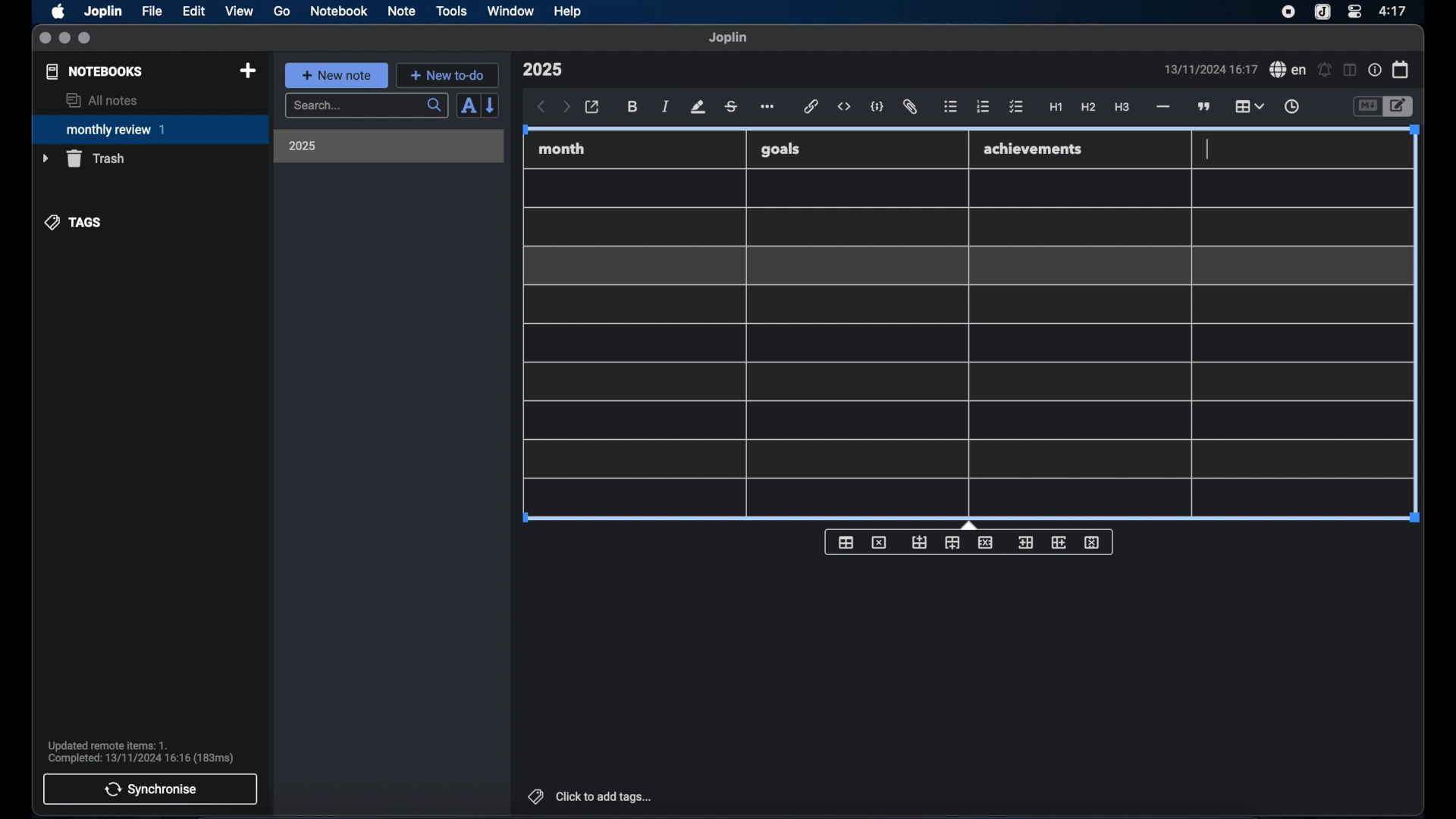 Image resolution: width=1456 pixels, height=819 pixels. Describe the element at coordinates (844, 107) in the screenshot. I see `inline code` at that location.